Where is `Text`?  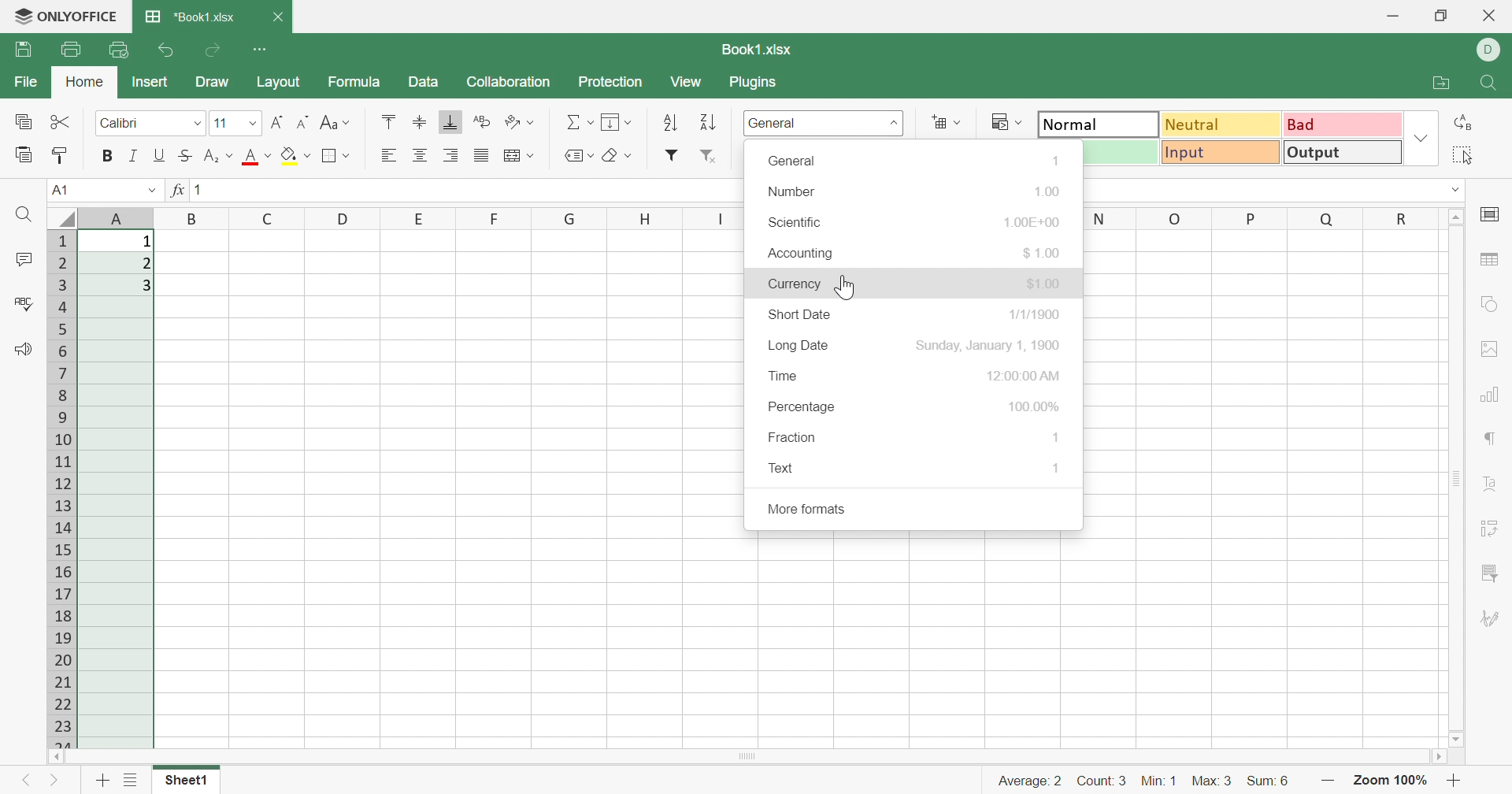
Text is located at coordinates (782, 467).